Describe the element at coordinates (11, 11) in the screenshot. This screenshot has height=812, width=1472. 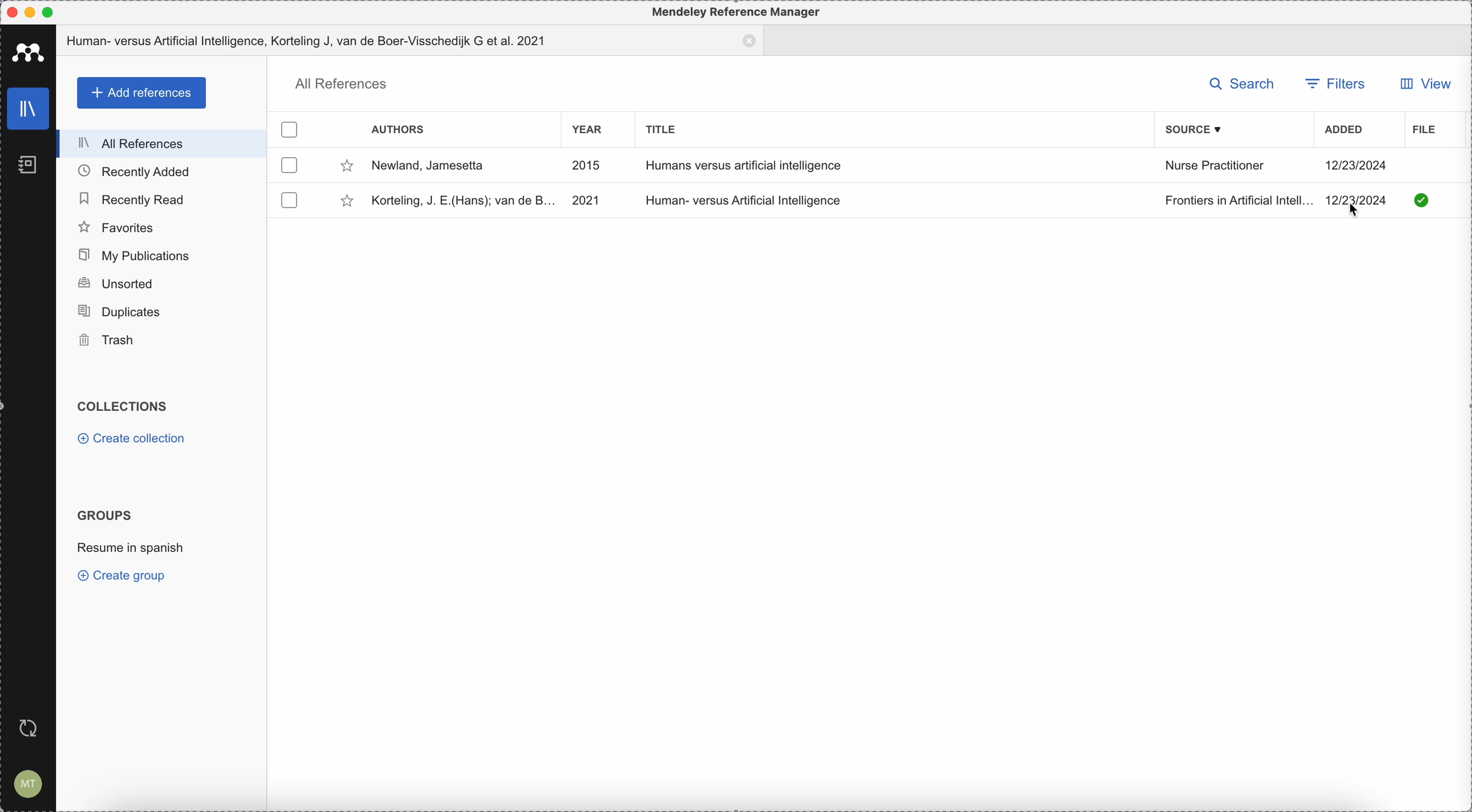
I see `close Mendeley` at that location.